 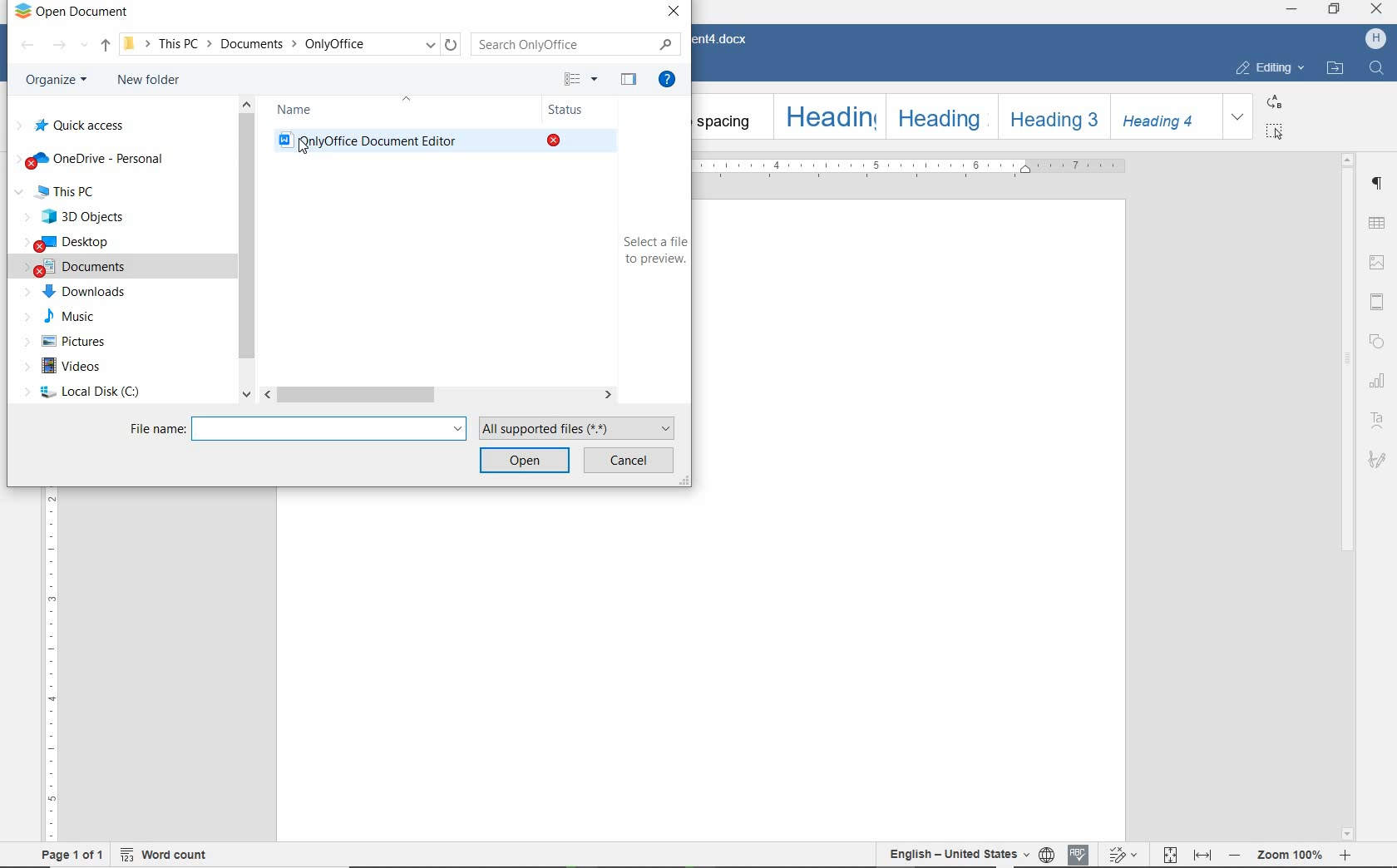 What do you see at coordinates (73, 856) in the screenshot?
I see `page 1 of 1` at bounding box center [73, 856].